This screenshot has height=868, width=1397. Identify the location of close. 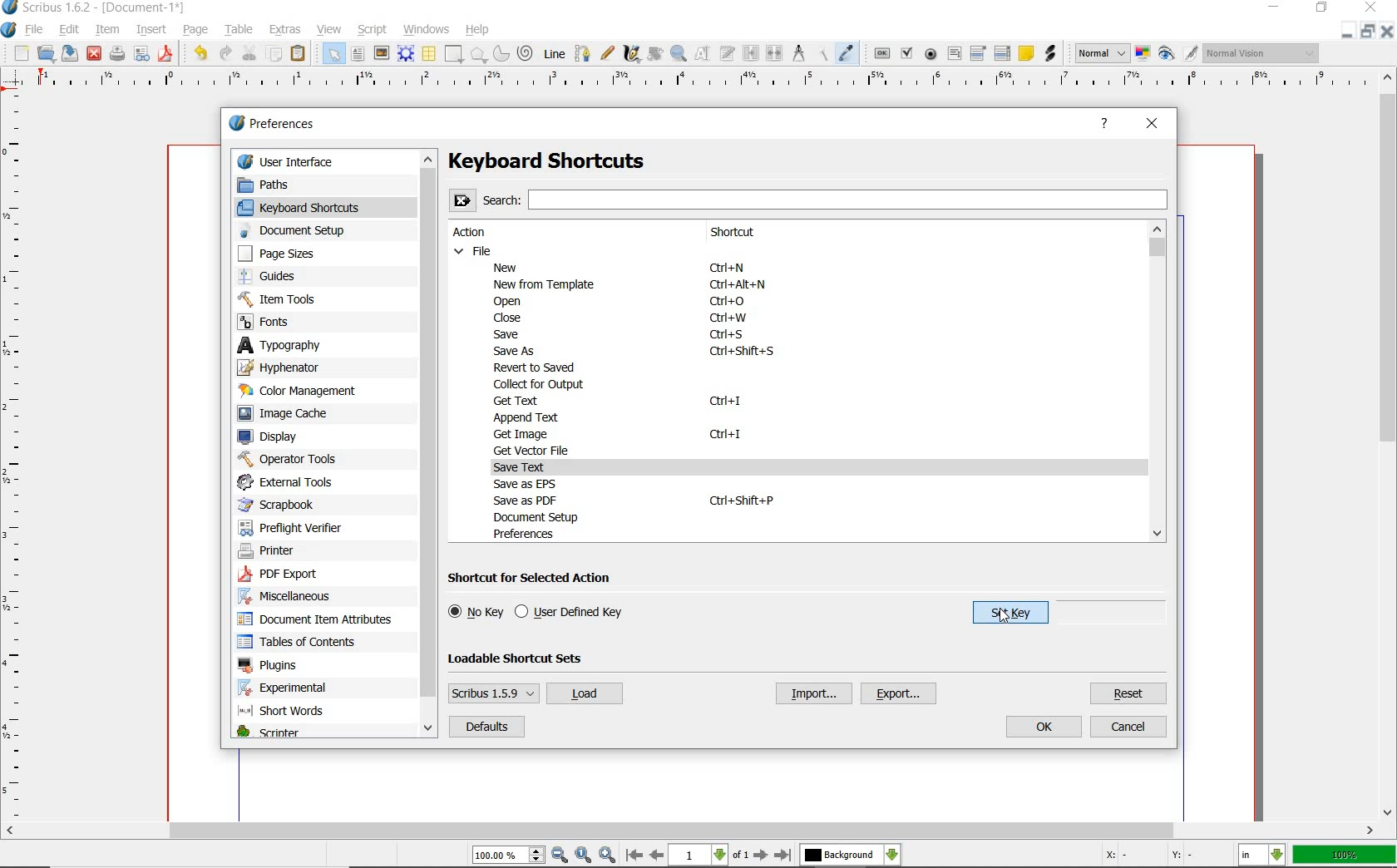
(504, 318).